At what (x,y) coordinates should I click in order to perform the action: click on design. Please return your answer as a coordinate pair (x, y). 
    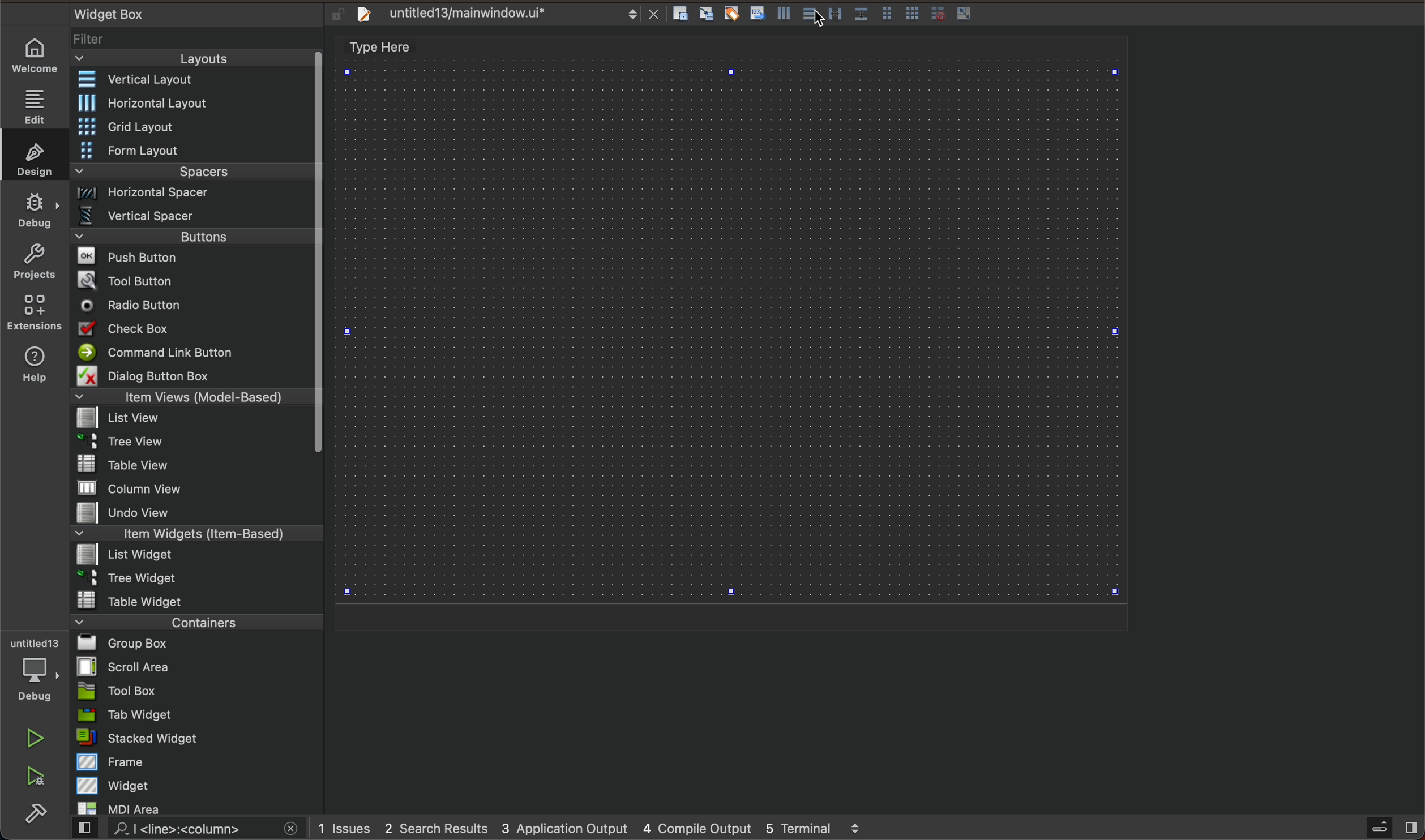
    Looking at the image, I should click on (33, 155).